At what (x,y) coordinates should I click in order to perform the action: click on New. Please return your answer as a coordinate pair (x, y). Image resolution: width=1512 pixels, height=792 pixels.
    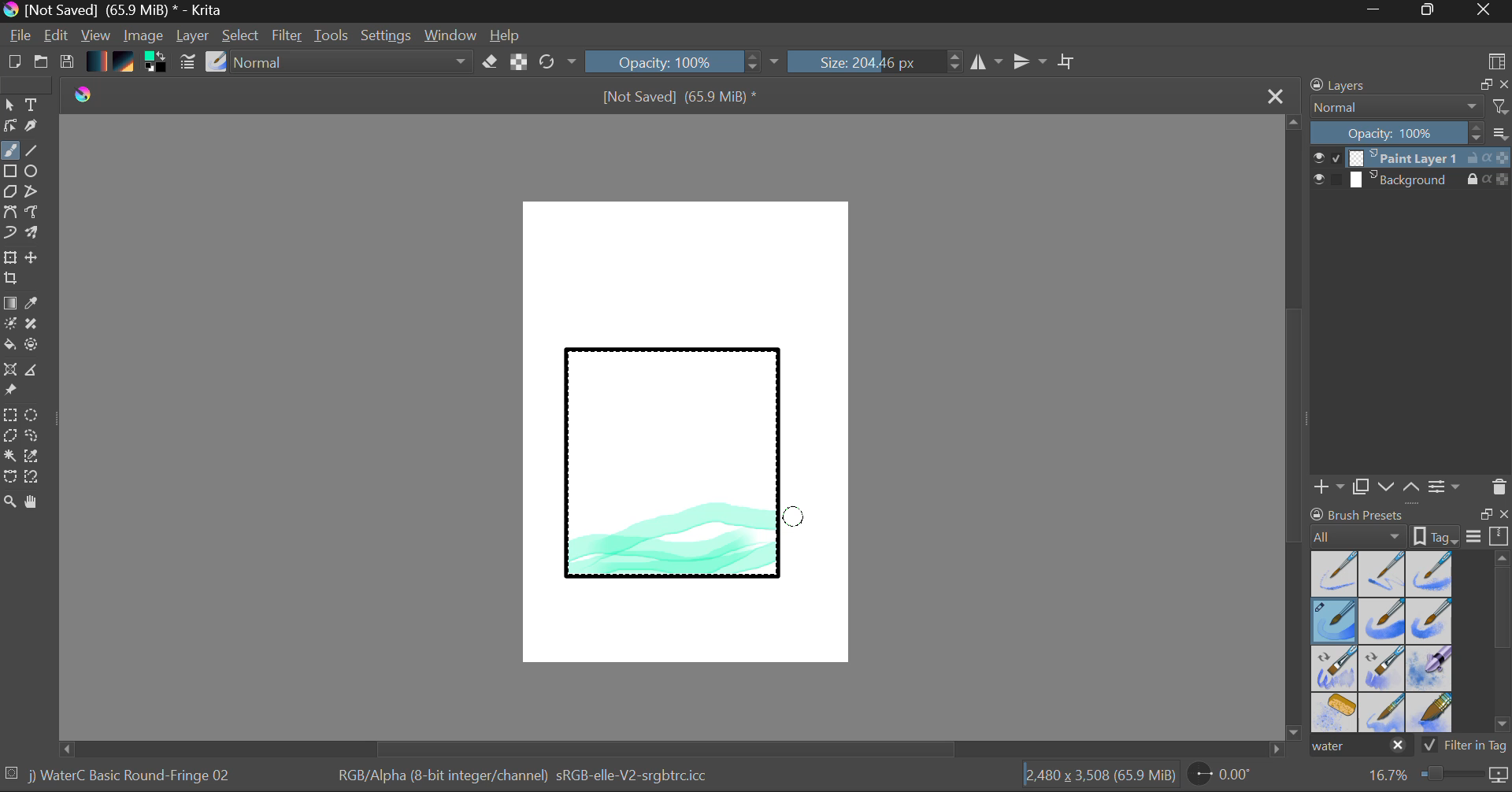
    Looking at the image, I should click on (13, 64).